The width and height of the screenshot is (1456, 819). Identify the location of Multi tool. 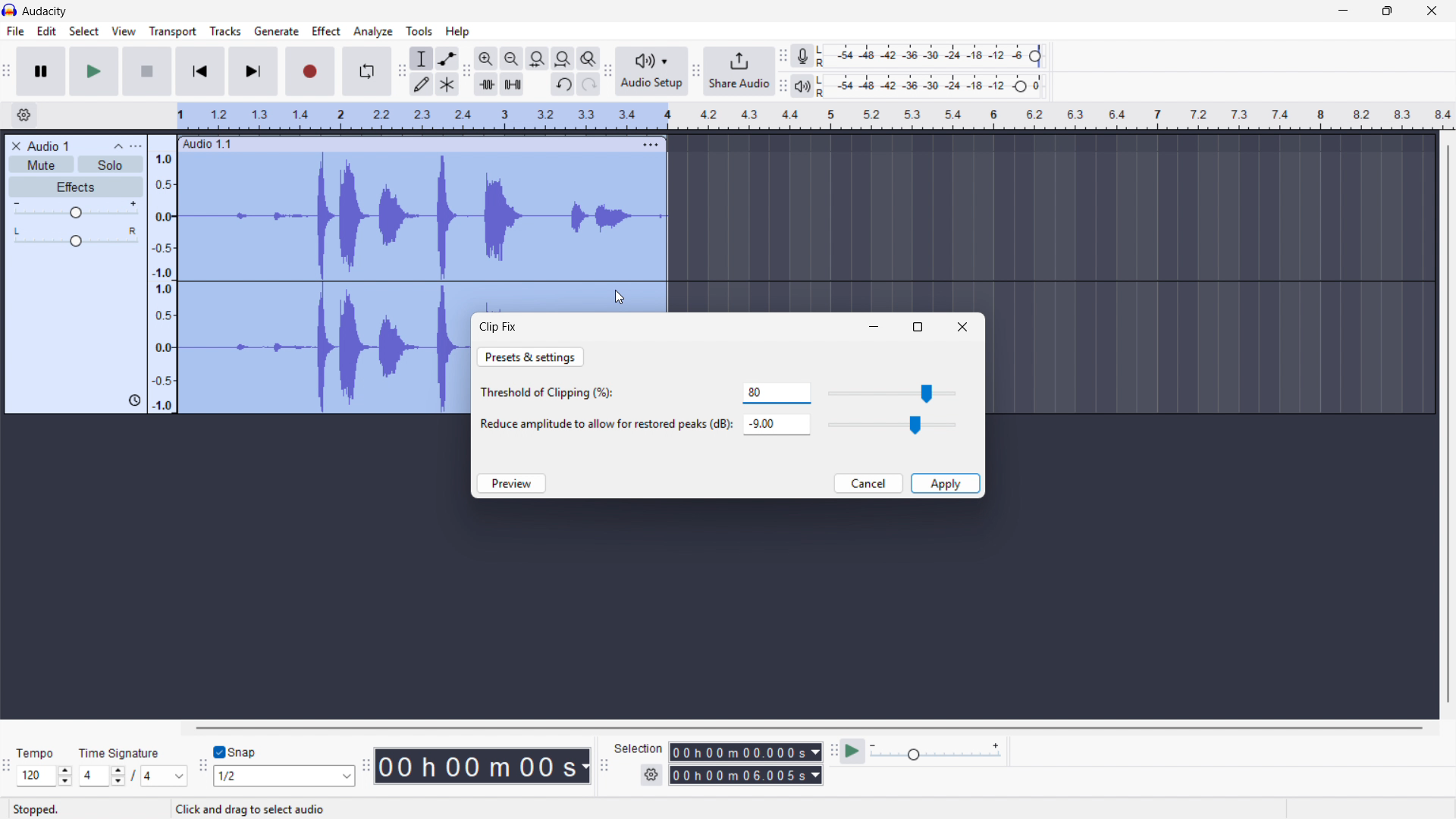
(447, 85).